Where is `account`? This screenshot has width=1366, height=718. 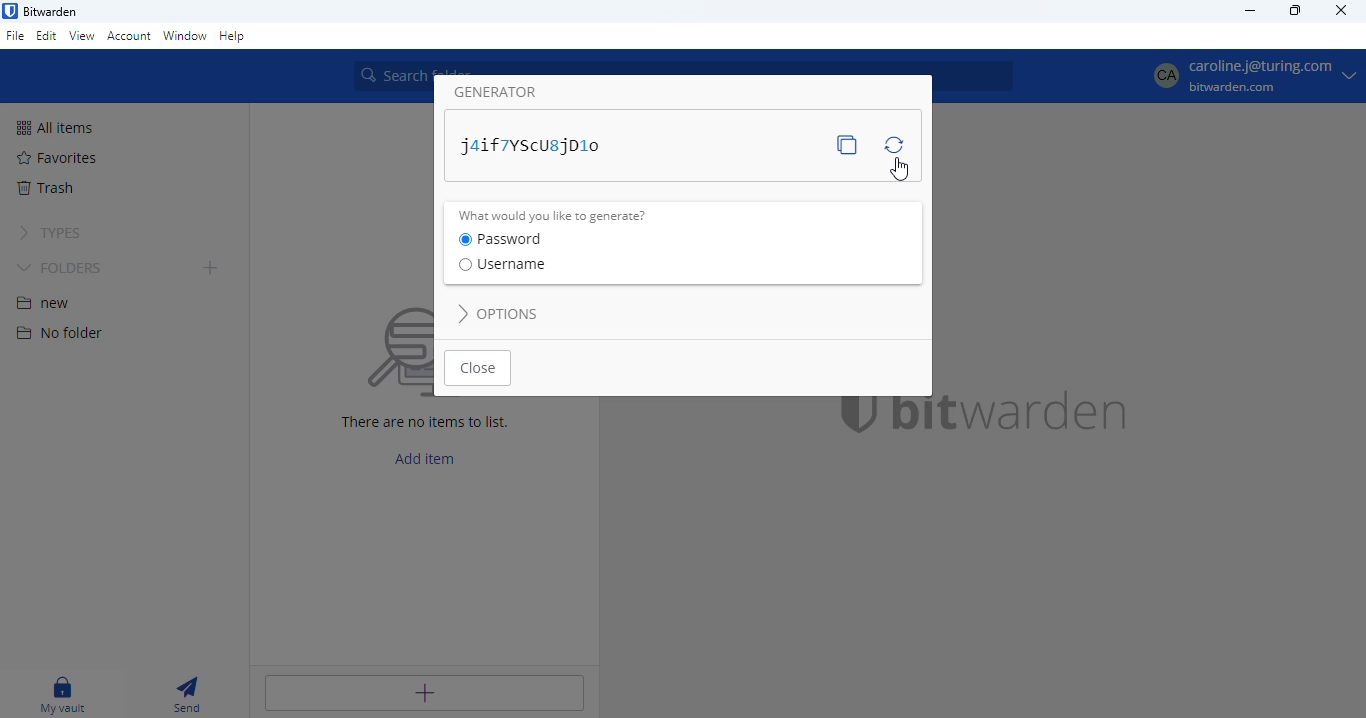 account is located at coordinates (130, 35).